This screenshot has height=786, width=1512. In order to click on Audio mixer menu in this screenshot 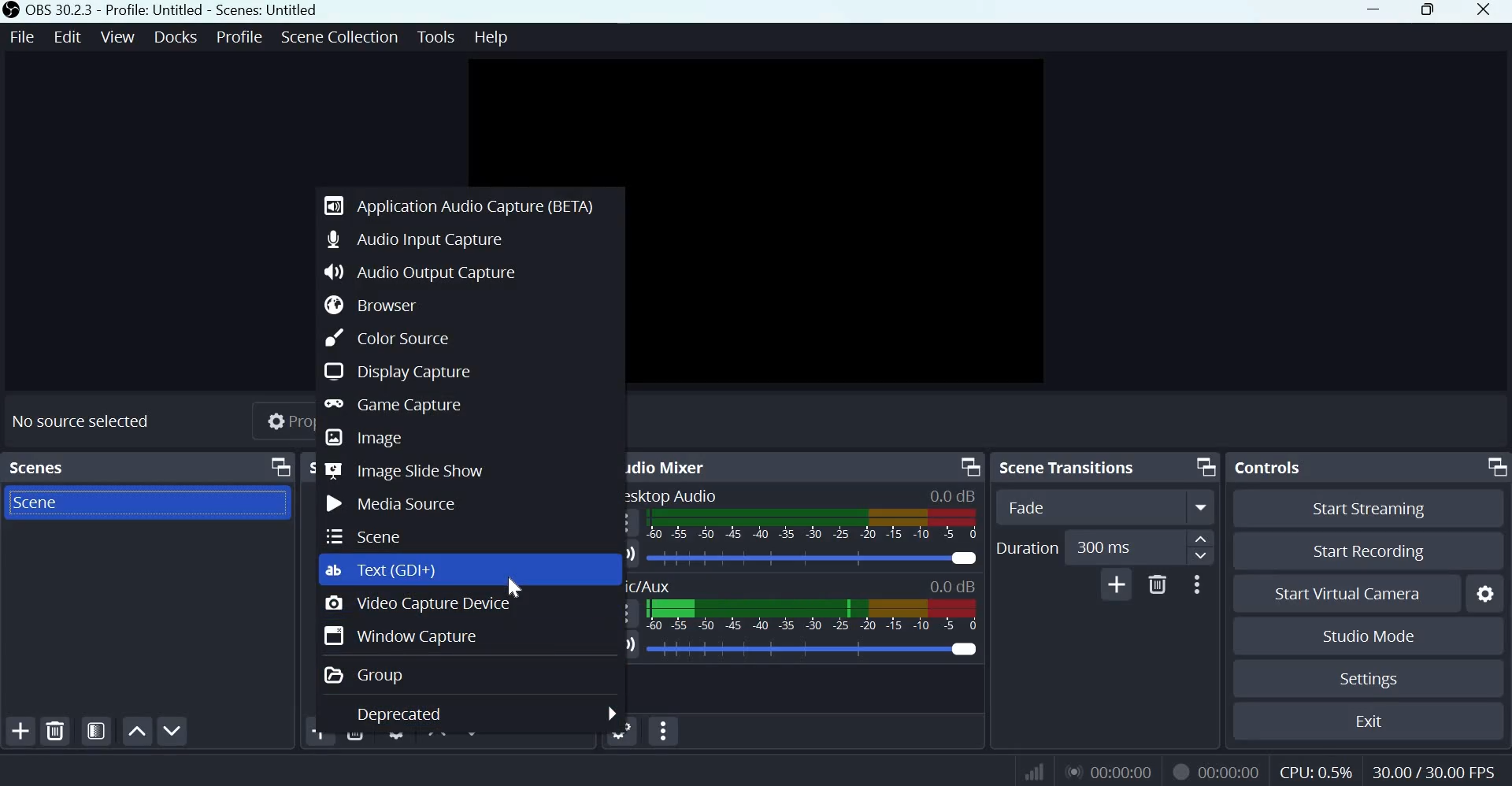, I will do `click(663, 731)`.